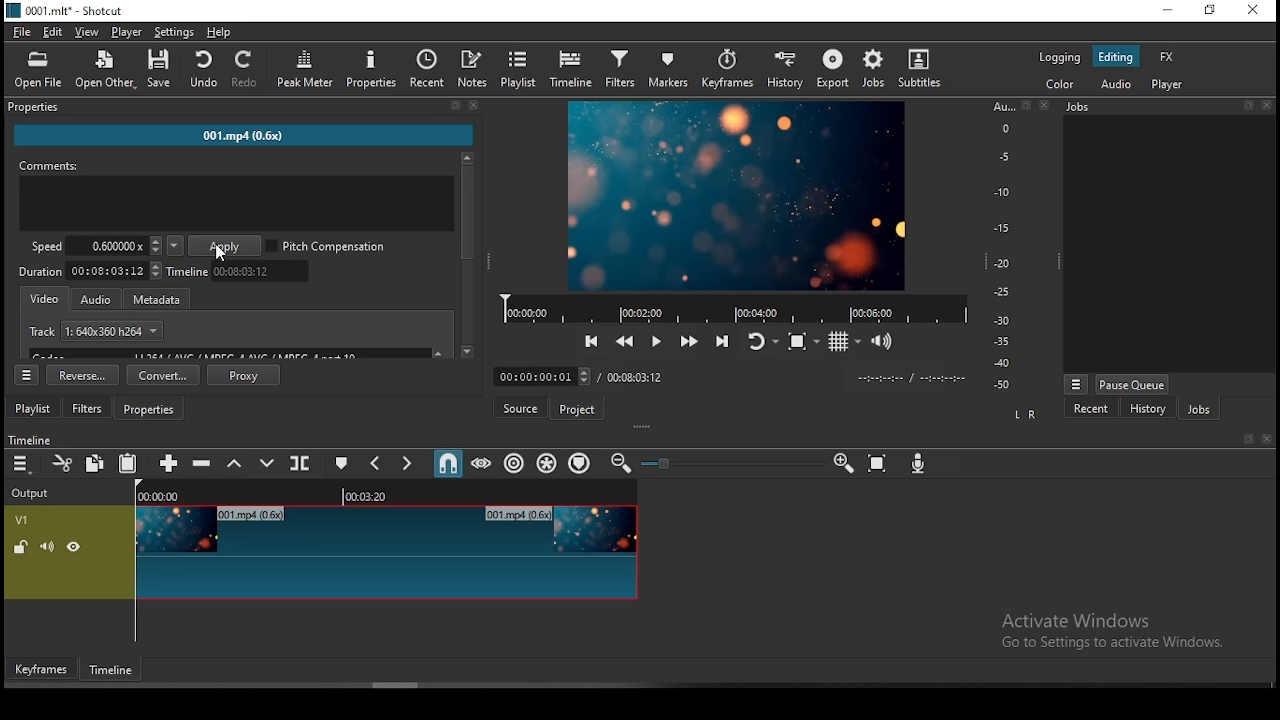 The image size is (1280, 720). What do you see at coordinates (87, 32) in the screenshot?
I see `view` at bounding box center [87, 32].